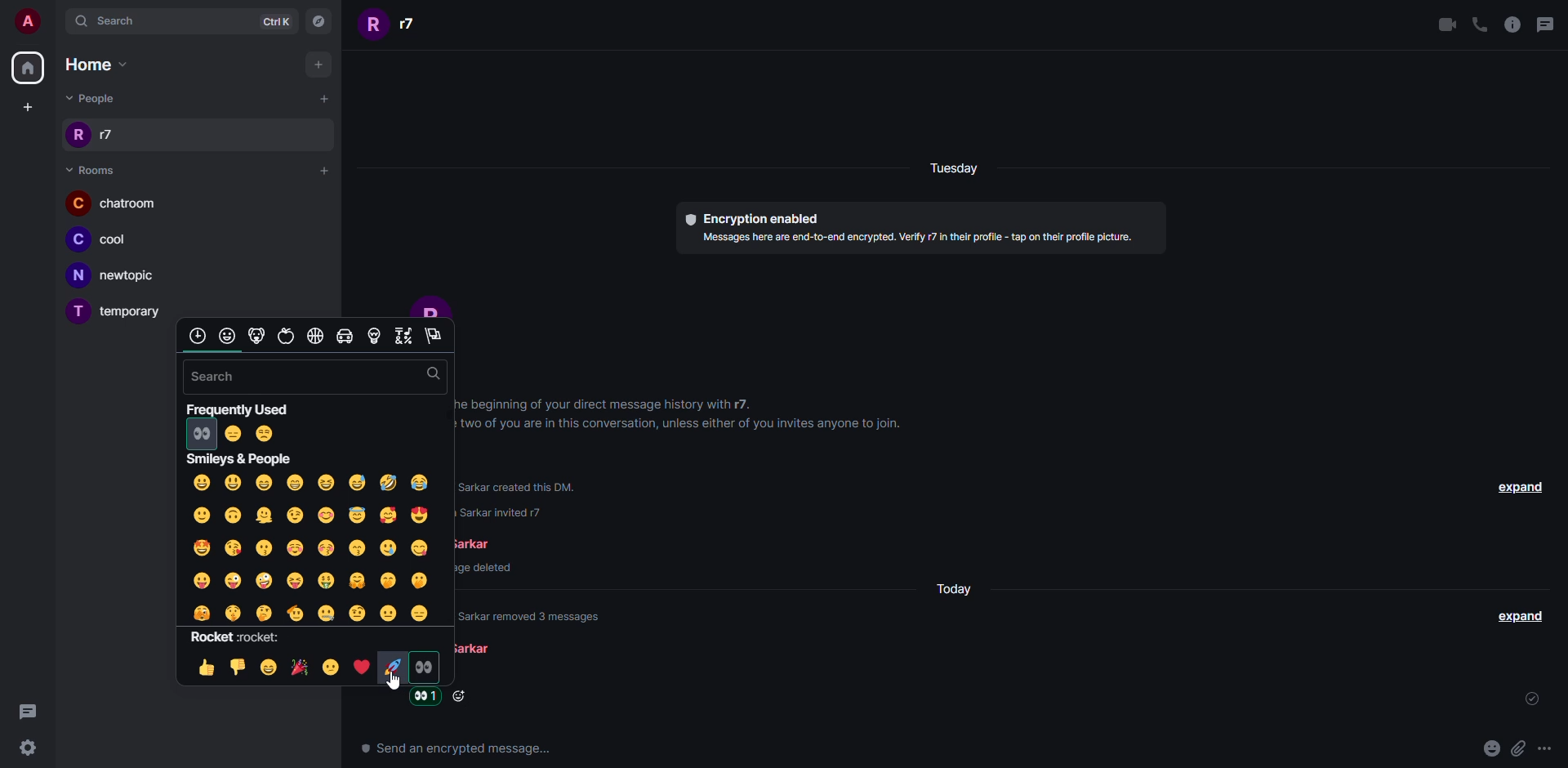 Image resolution: width=1568 pixels, height=768 pixels. Describe the element at coordinates (403, 337) in the screenshot. I see `category` at that location.